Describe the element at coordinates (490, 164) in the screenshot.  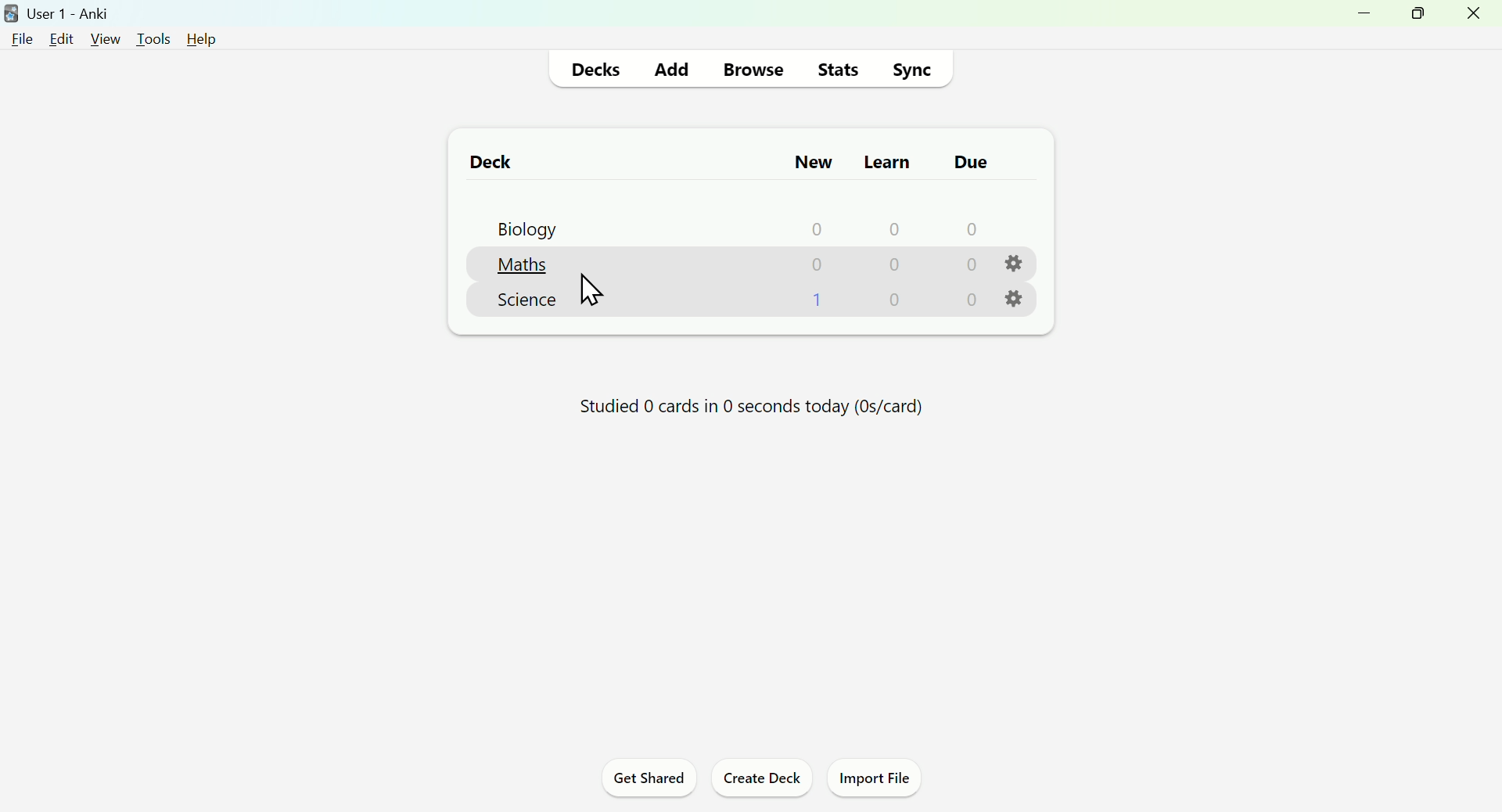
I see `Deck` at that location.